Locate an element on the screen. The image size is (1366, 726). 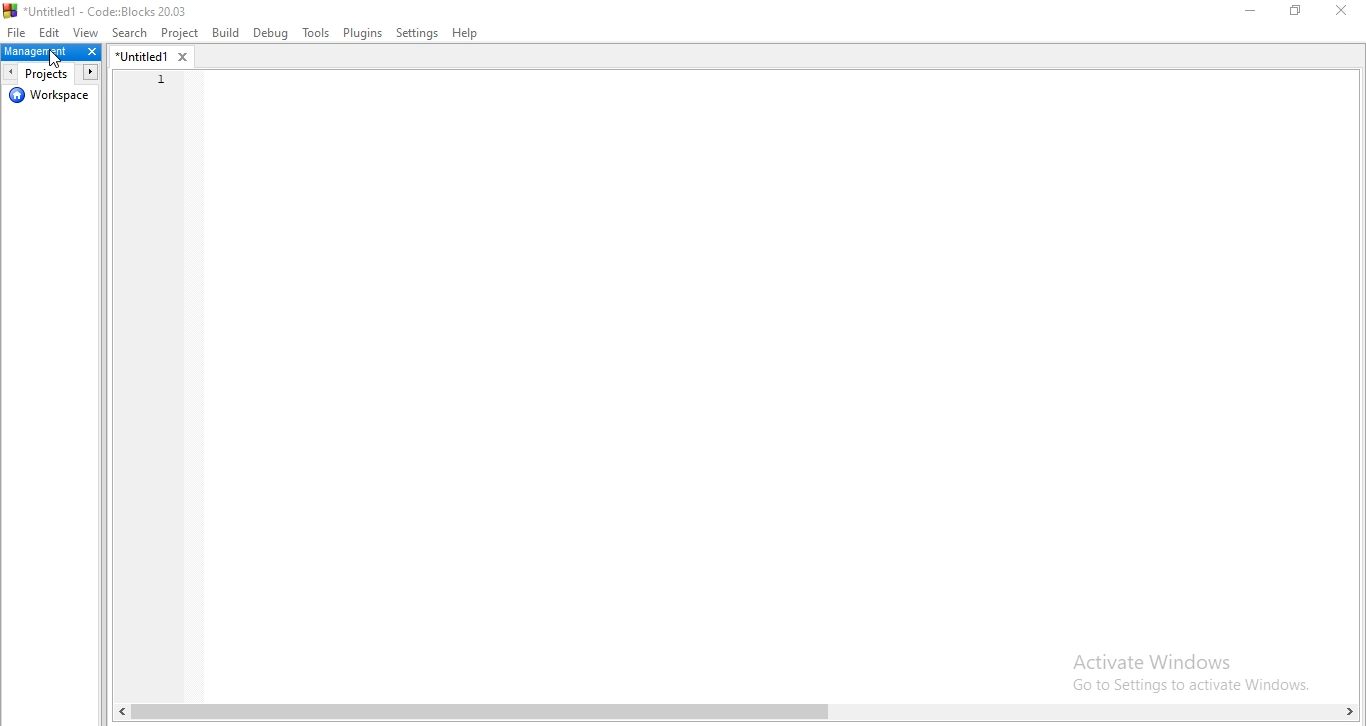
Project  is located at coordinates (181, 34).